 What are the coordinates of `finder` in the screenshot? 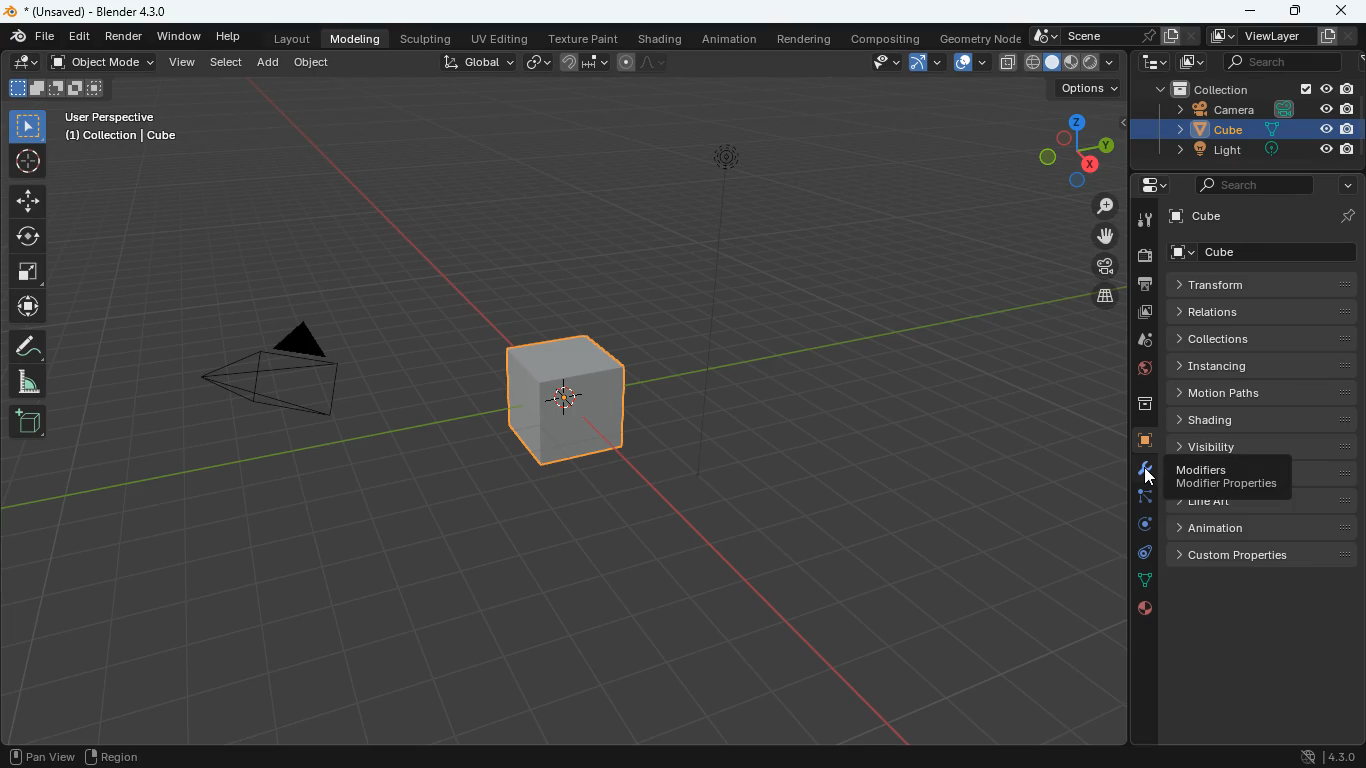 It's located at (33, 38).